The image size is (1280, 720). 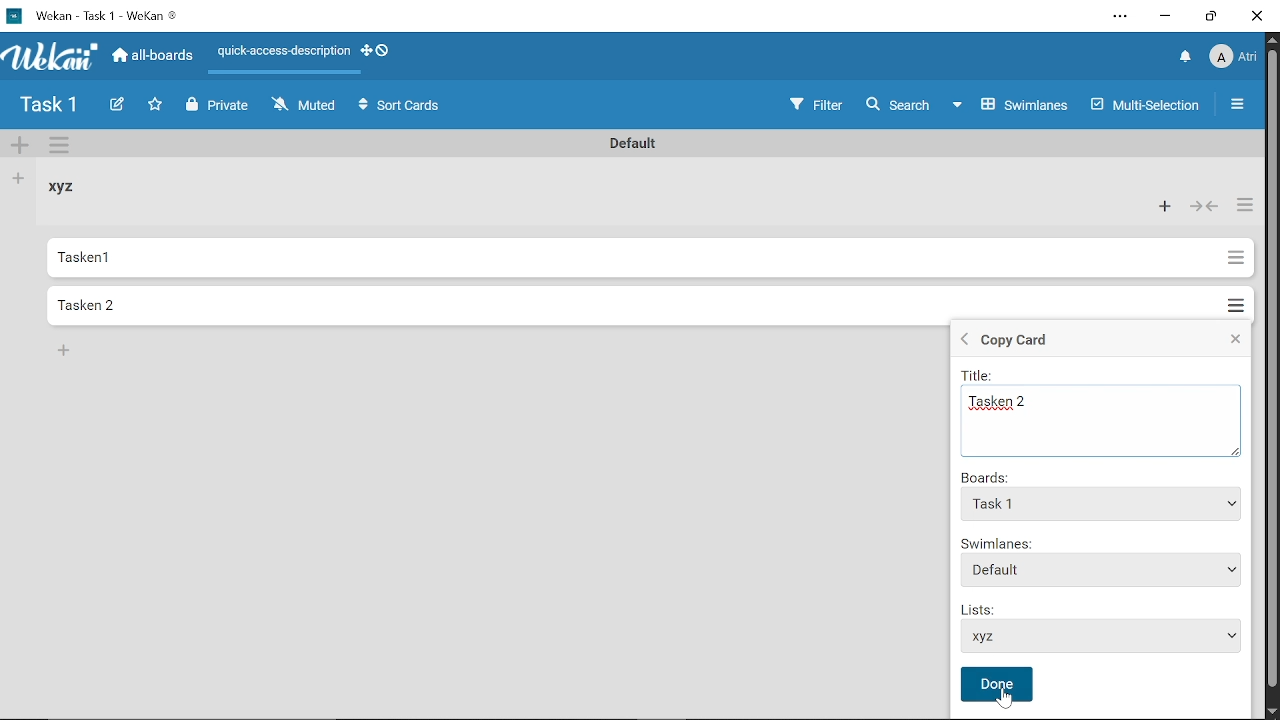 I want to click on Quick access description, so click(x=282, y=52).